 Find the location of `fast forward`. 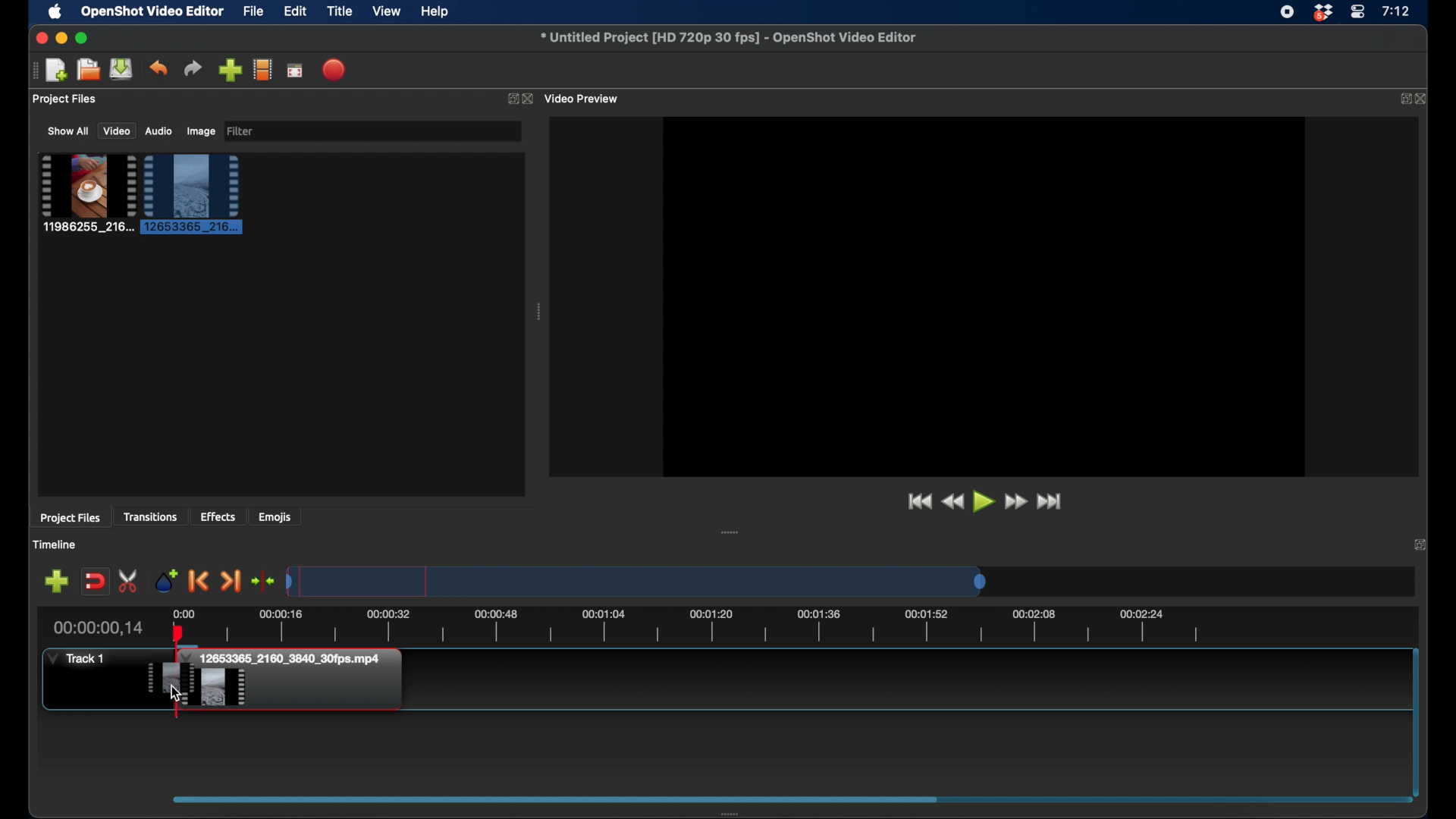

fast forward is located at coordinates (1018, 502).